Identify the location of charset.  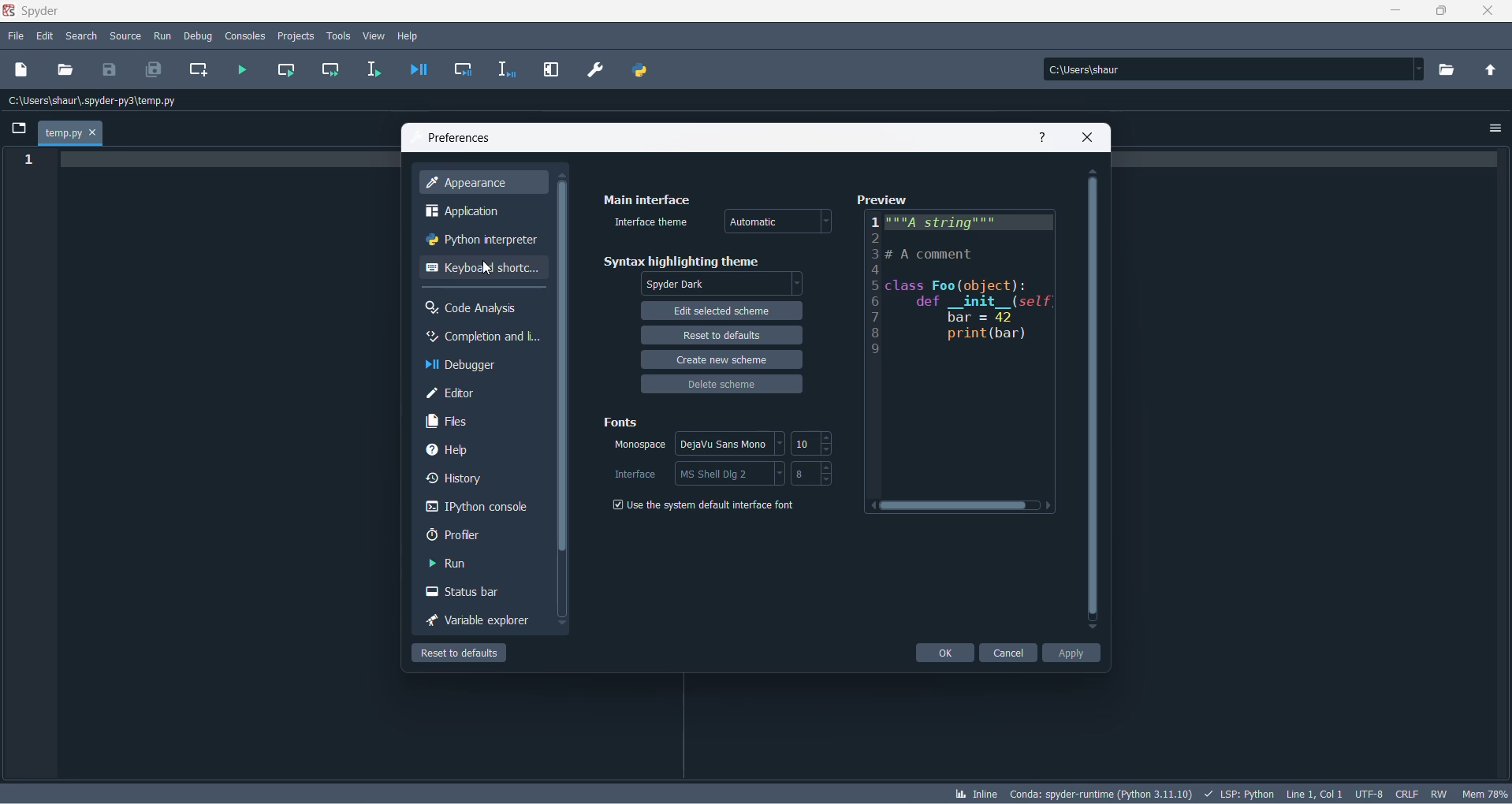
(1369, 792).